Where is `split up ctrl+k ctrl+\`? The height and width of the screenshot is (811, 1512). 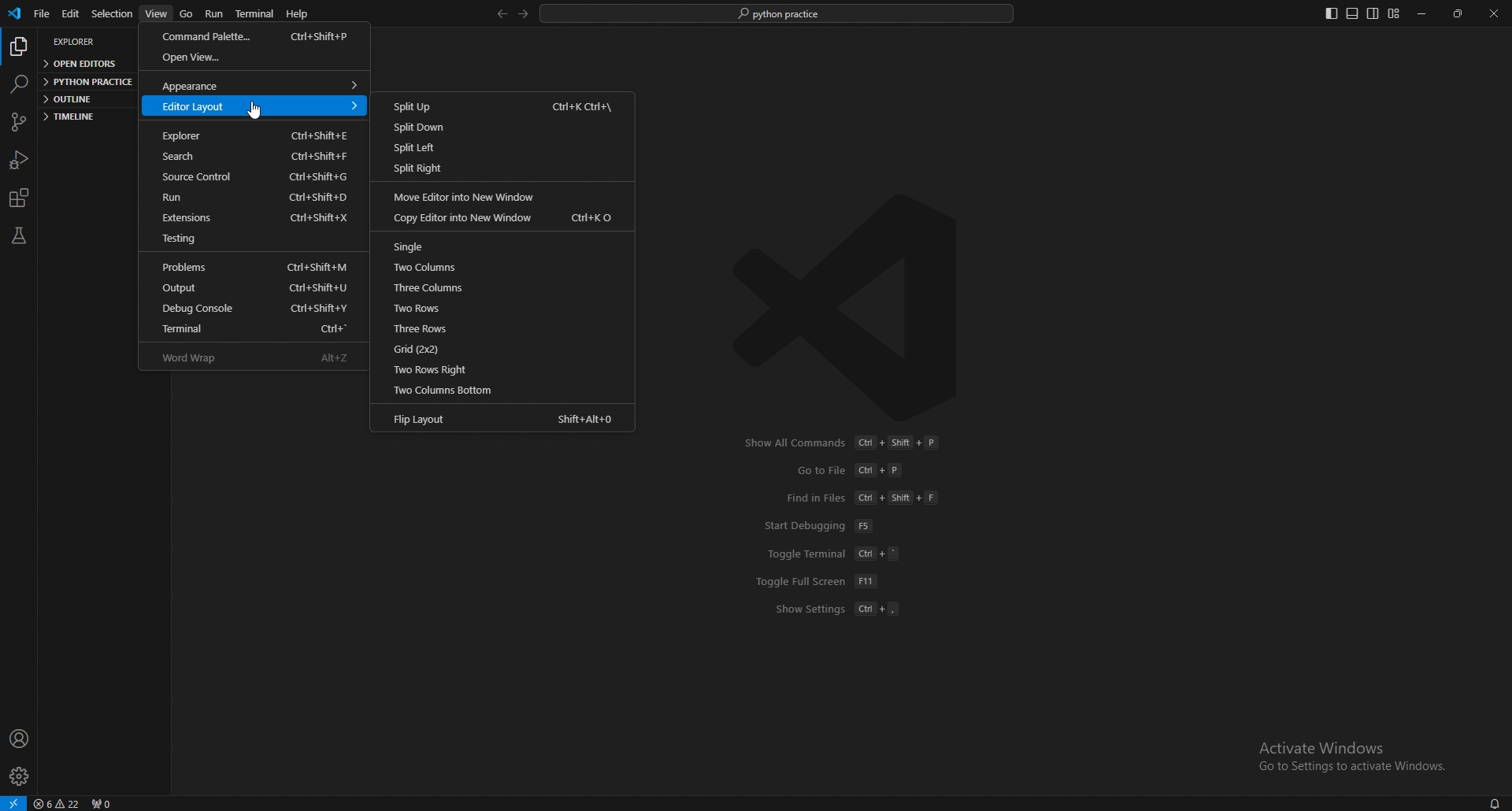 split up ctrl+k ctrl+\ is located at coordinates (502, 106).